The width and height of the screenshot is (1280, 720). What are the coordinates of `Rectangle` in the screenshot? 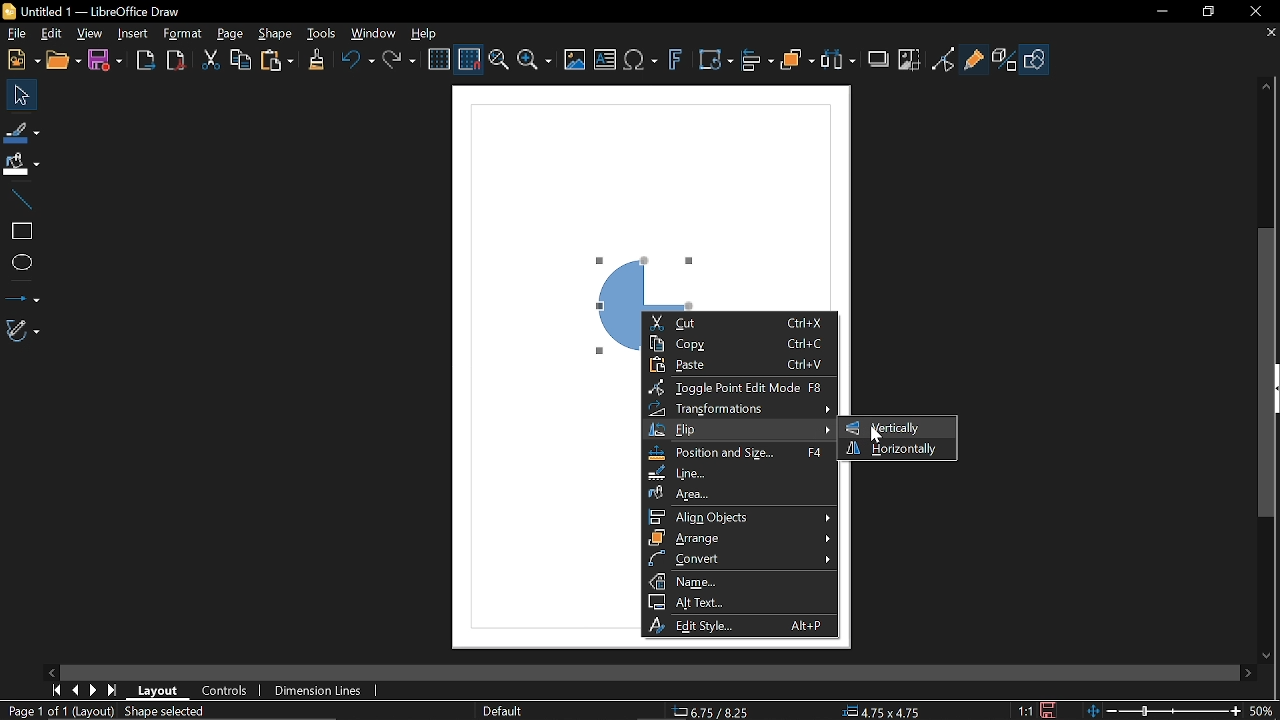 It's located at (19, 229).